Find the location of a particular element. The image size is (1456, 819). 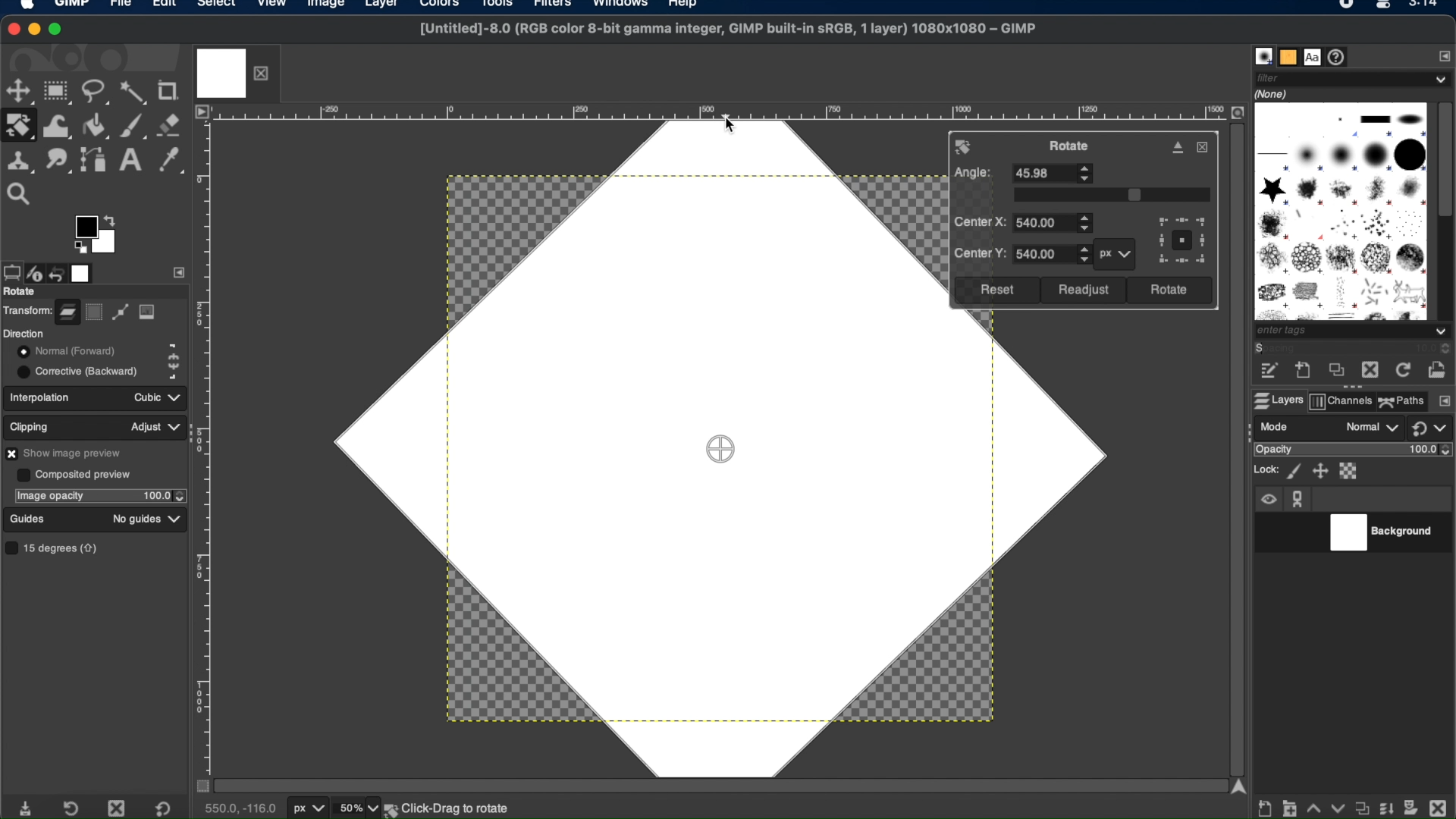

detach dialog from canvas is located at coordinates (1178, 147).